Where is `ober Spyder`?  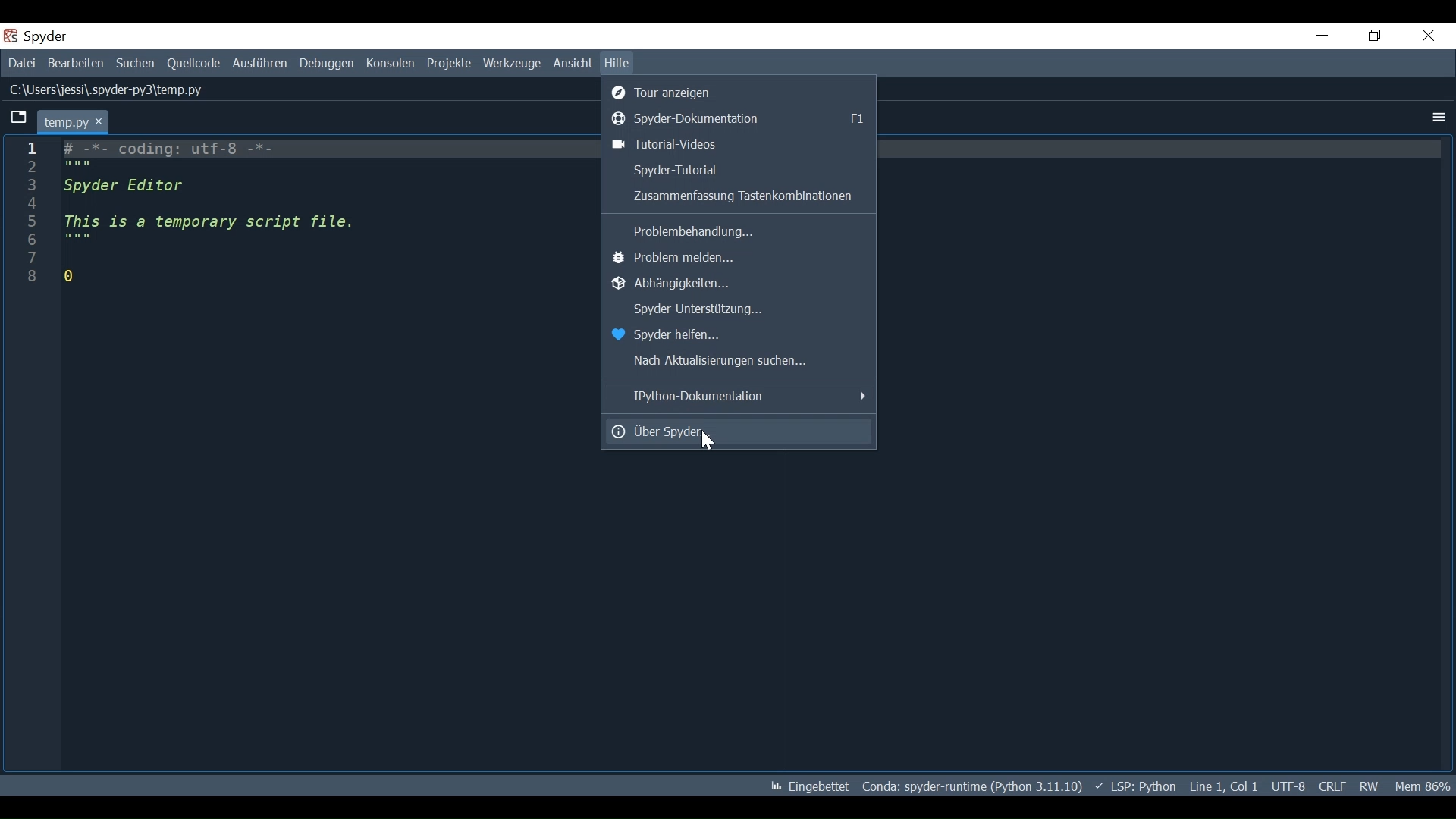
ober Spyder is located at coordinates (738, 431).